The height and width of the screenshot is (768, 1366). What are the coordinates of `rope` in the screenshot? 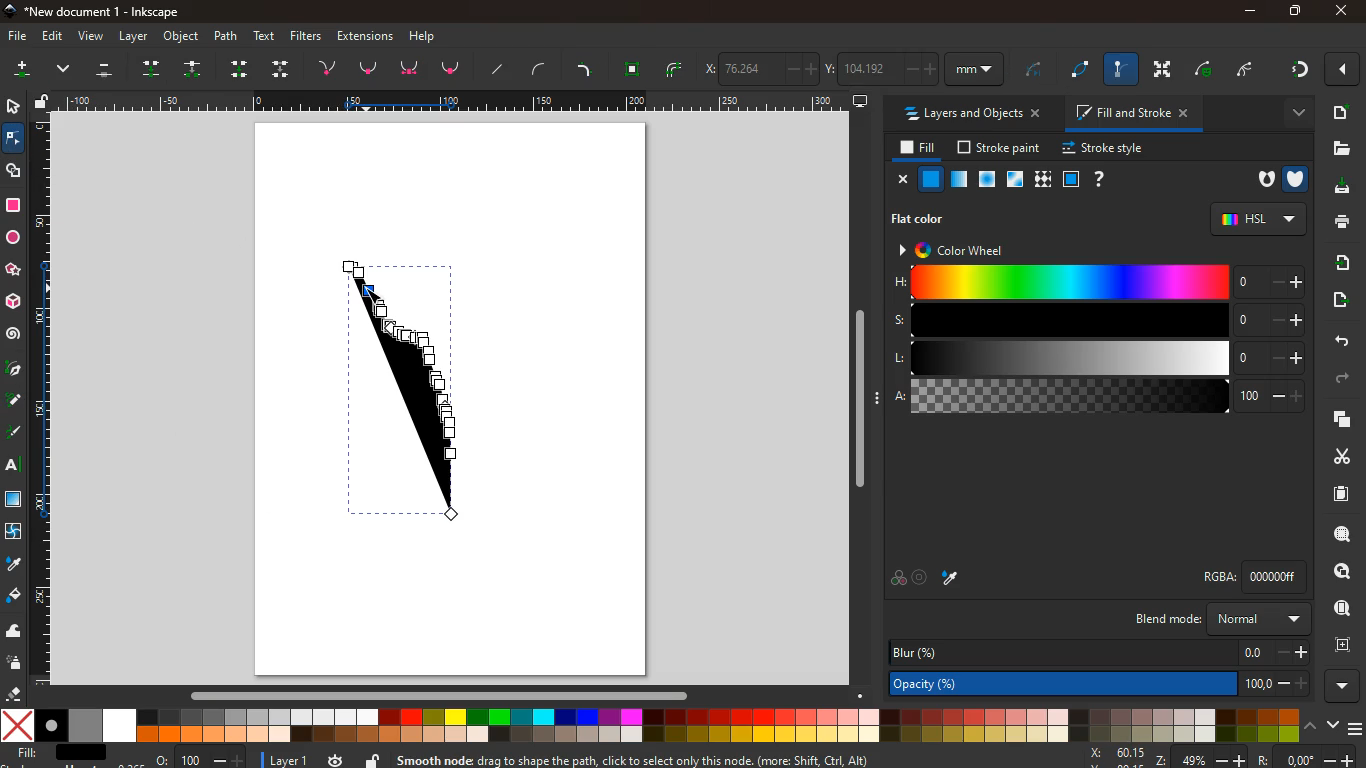 It's located at (1034, 72).